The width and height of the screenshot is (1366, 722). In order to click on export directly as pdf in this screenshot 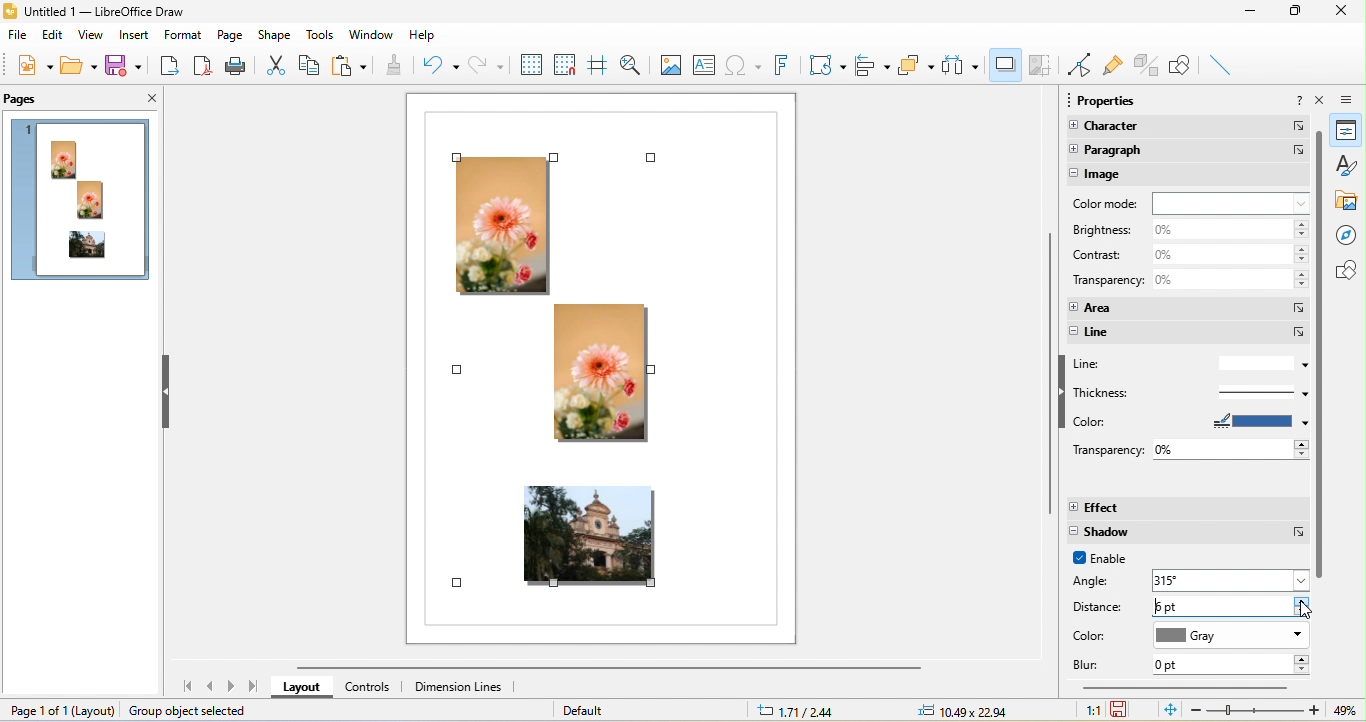, I will do `click(204, 68)`.